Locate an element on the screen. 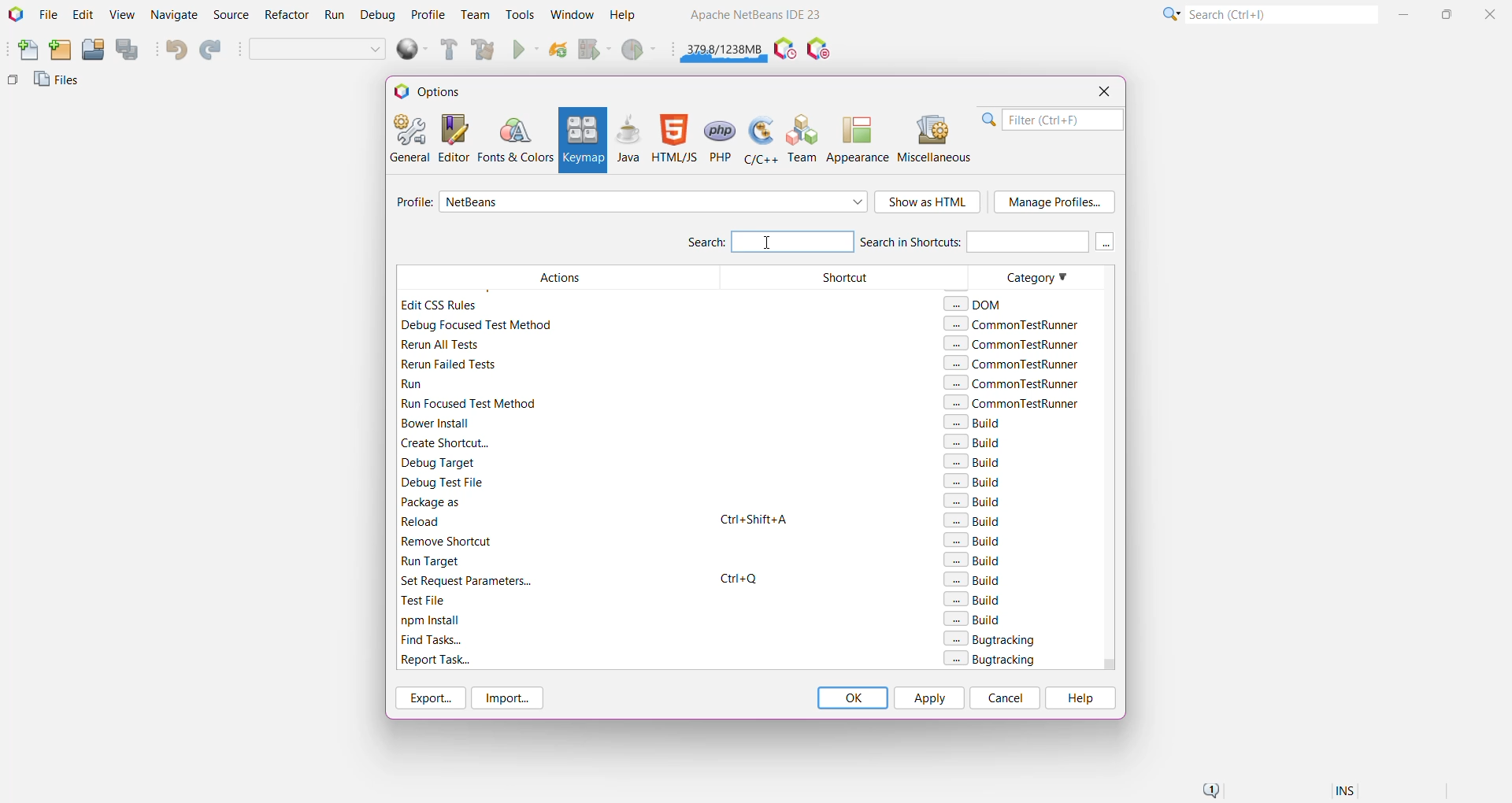  Application name and Version is located at coordinates (754, 17).